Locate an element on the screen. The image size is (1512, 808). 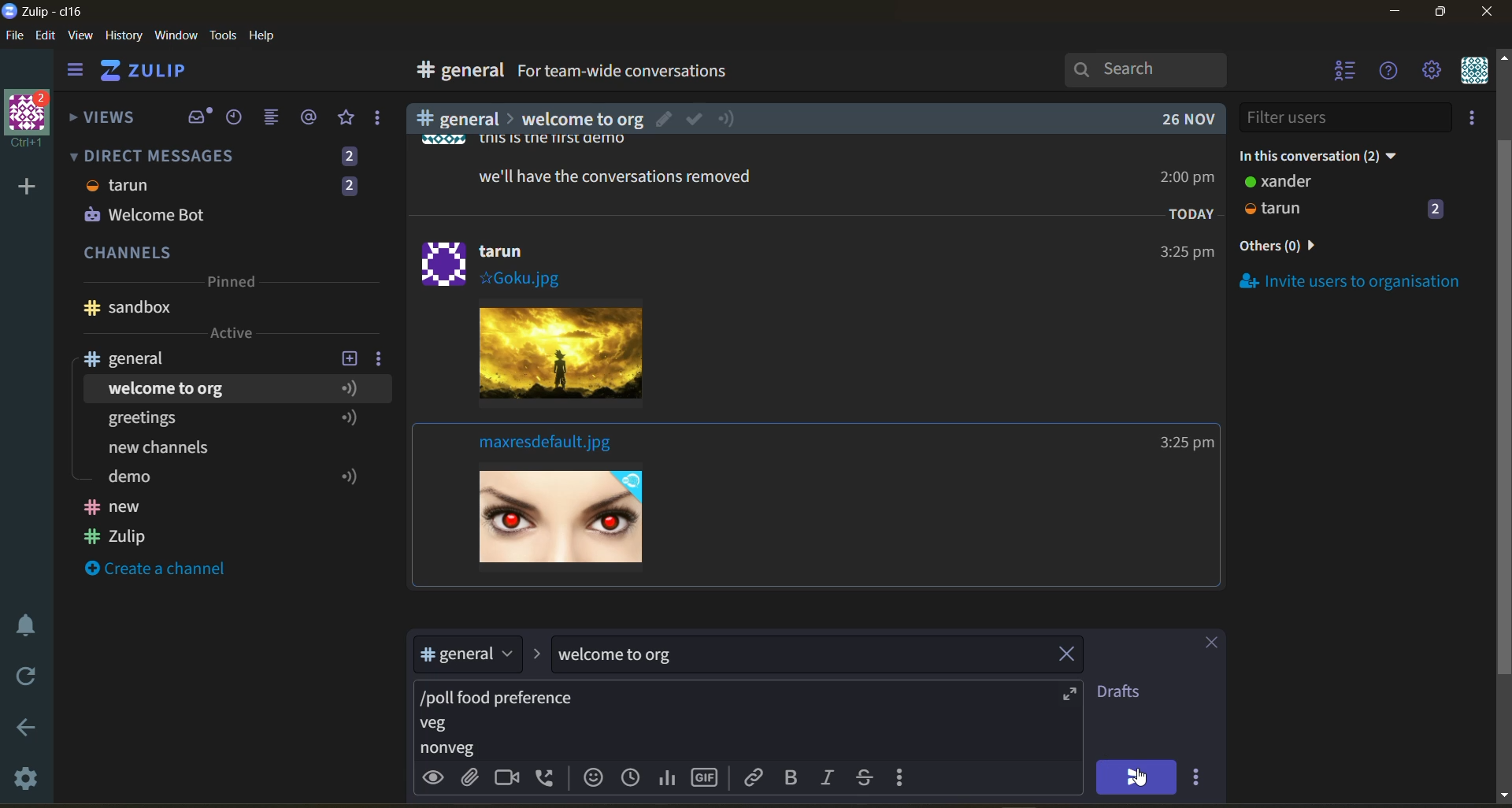
views is located at coordinates (103, 122).